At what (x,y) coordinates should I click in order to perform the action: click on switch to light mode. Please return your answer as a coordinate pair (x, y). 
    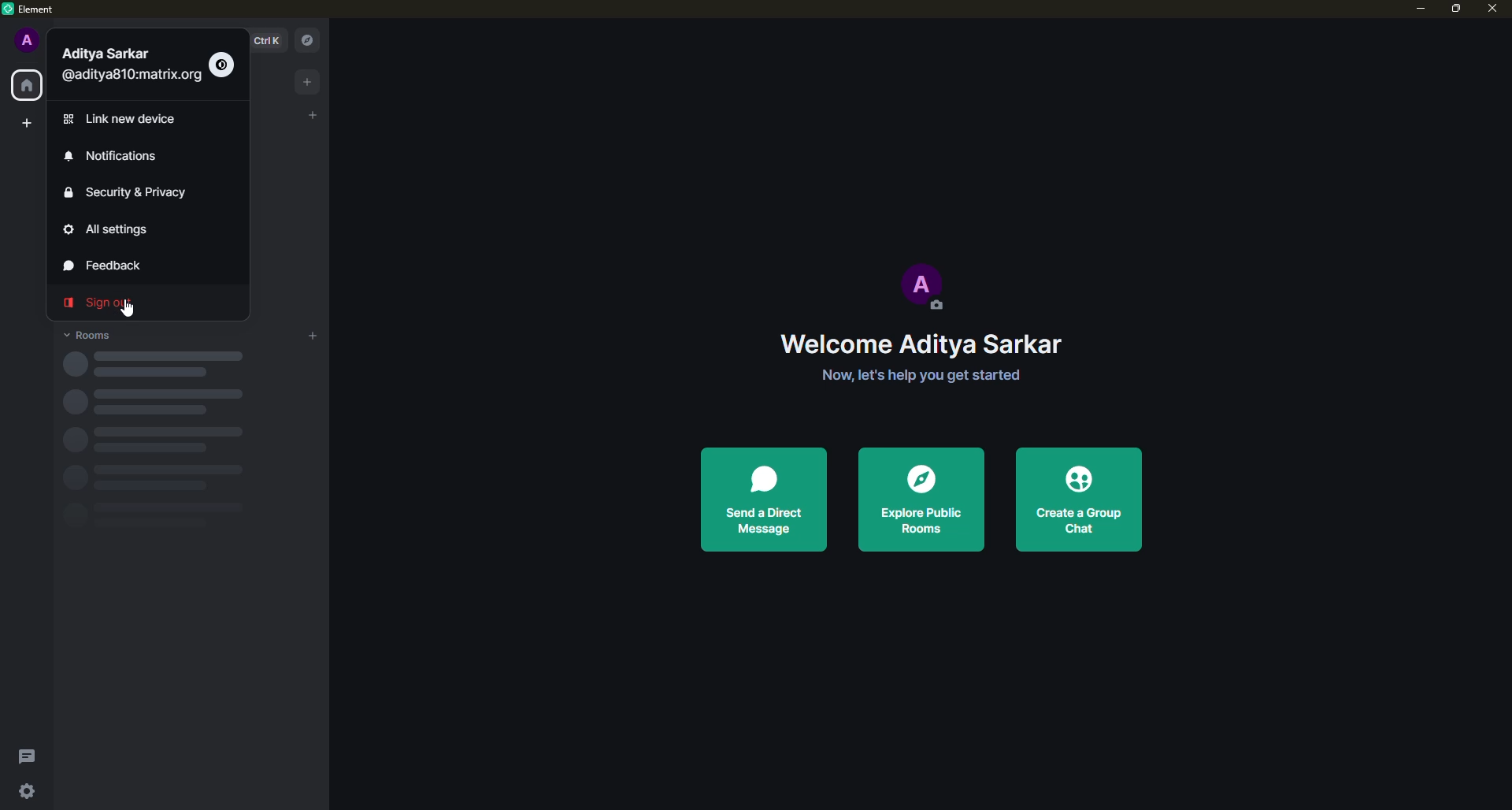
    Looking at the image, I should click on (224, 65).